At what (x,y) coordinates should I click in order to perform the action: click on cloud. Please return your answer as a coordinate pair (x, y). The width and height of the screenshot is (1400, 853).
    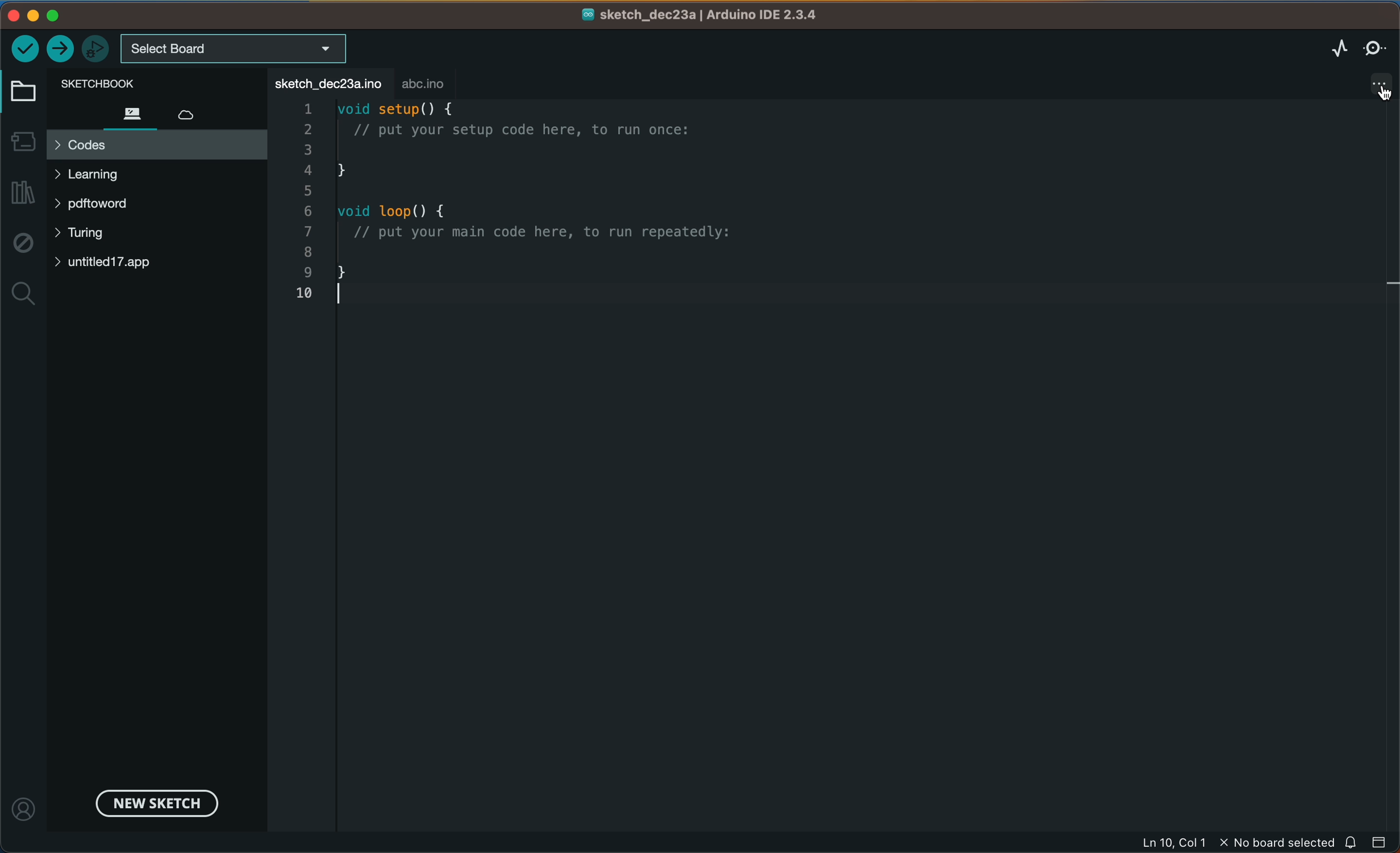
    Looking at the image, I should click on (186, 113).